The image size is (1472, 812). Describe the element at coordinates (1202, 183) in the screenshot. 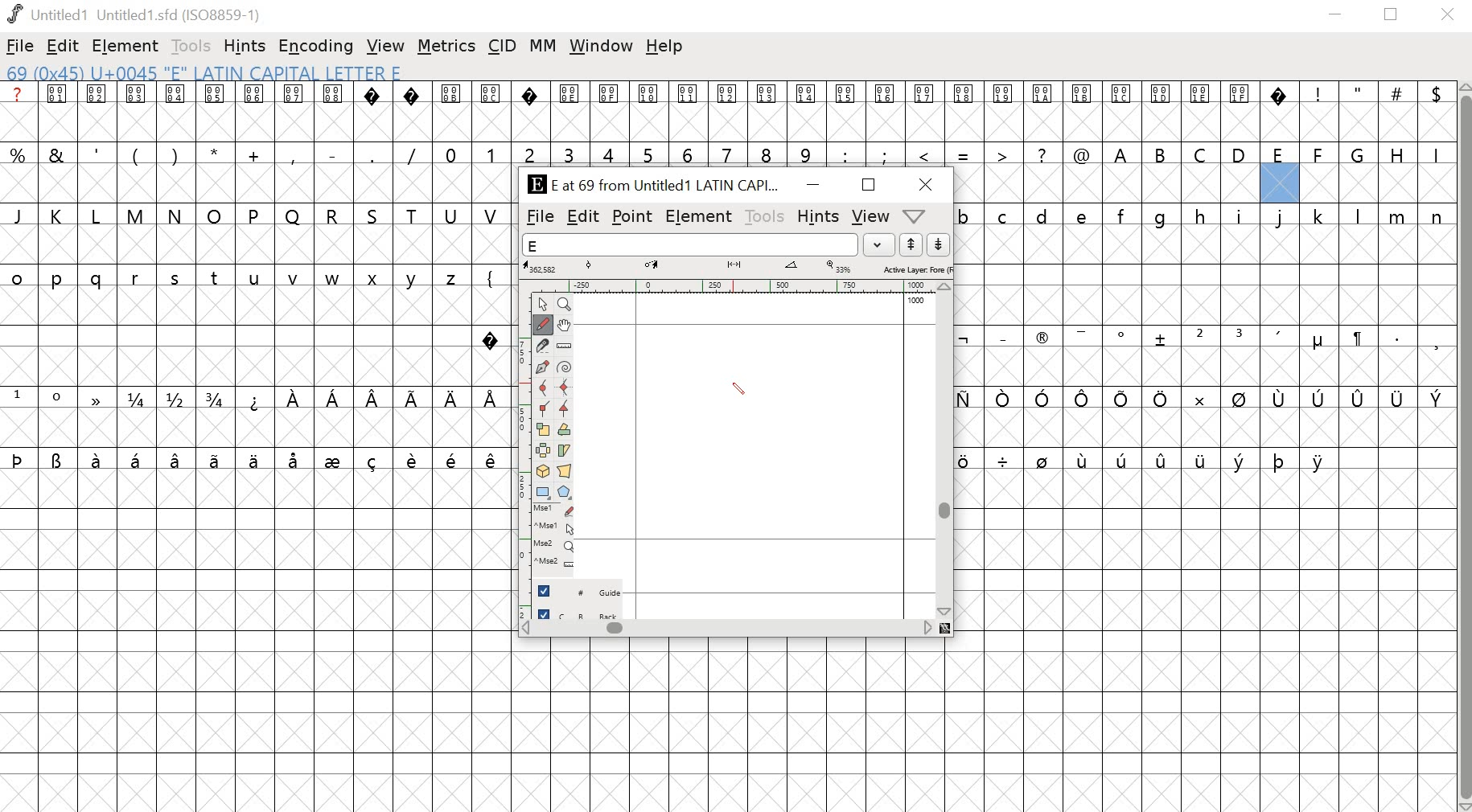

I see `empty cells` at that location.